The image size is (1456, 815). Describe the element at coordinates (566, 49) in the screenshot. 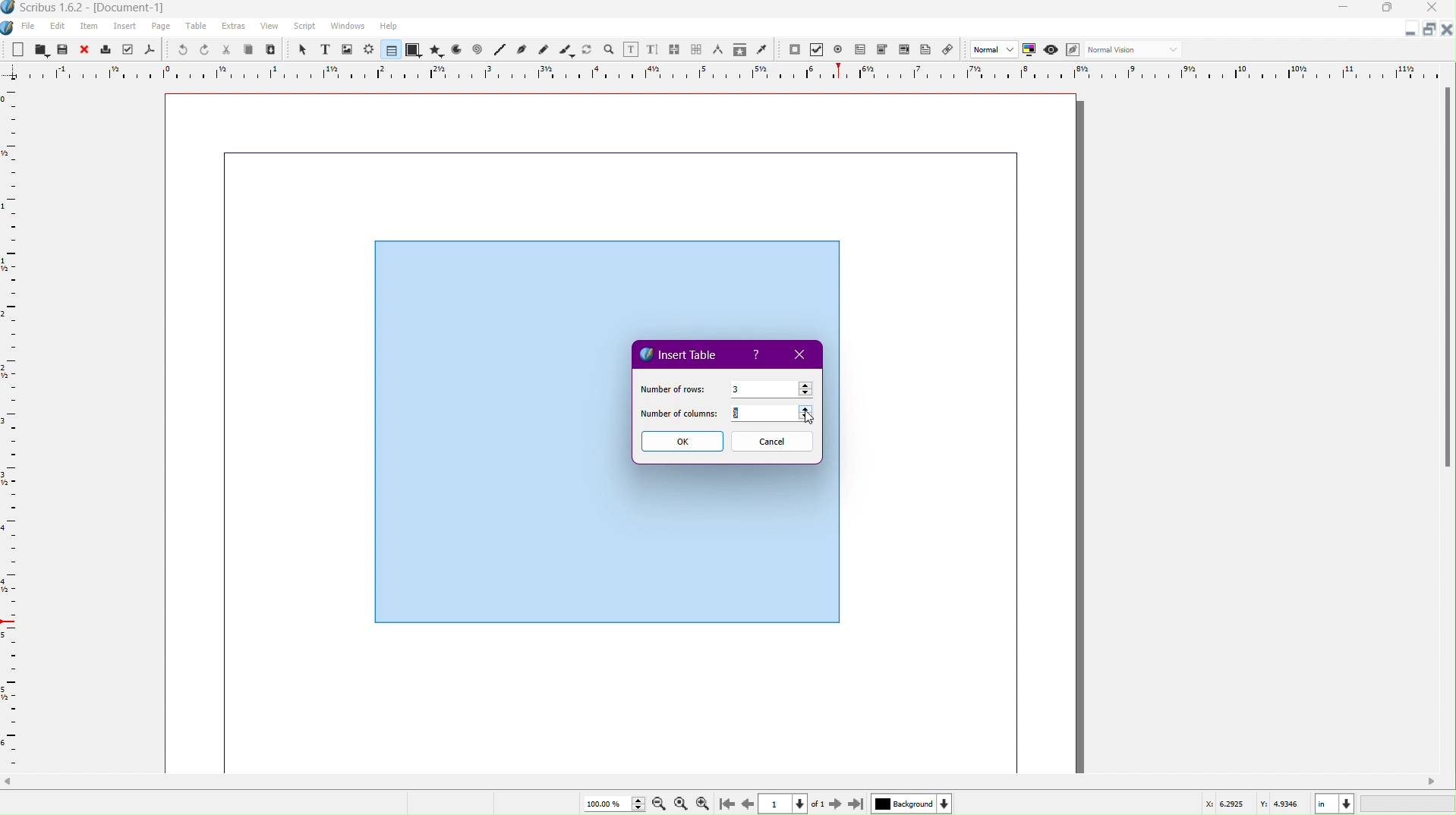

I see `Calligraphic Line` at that location.